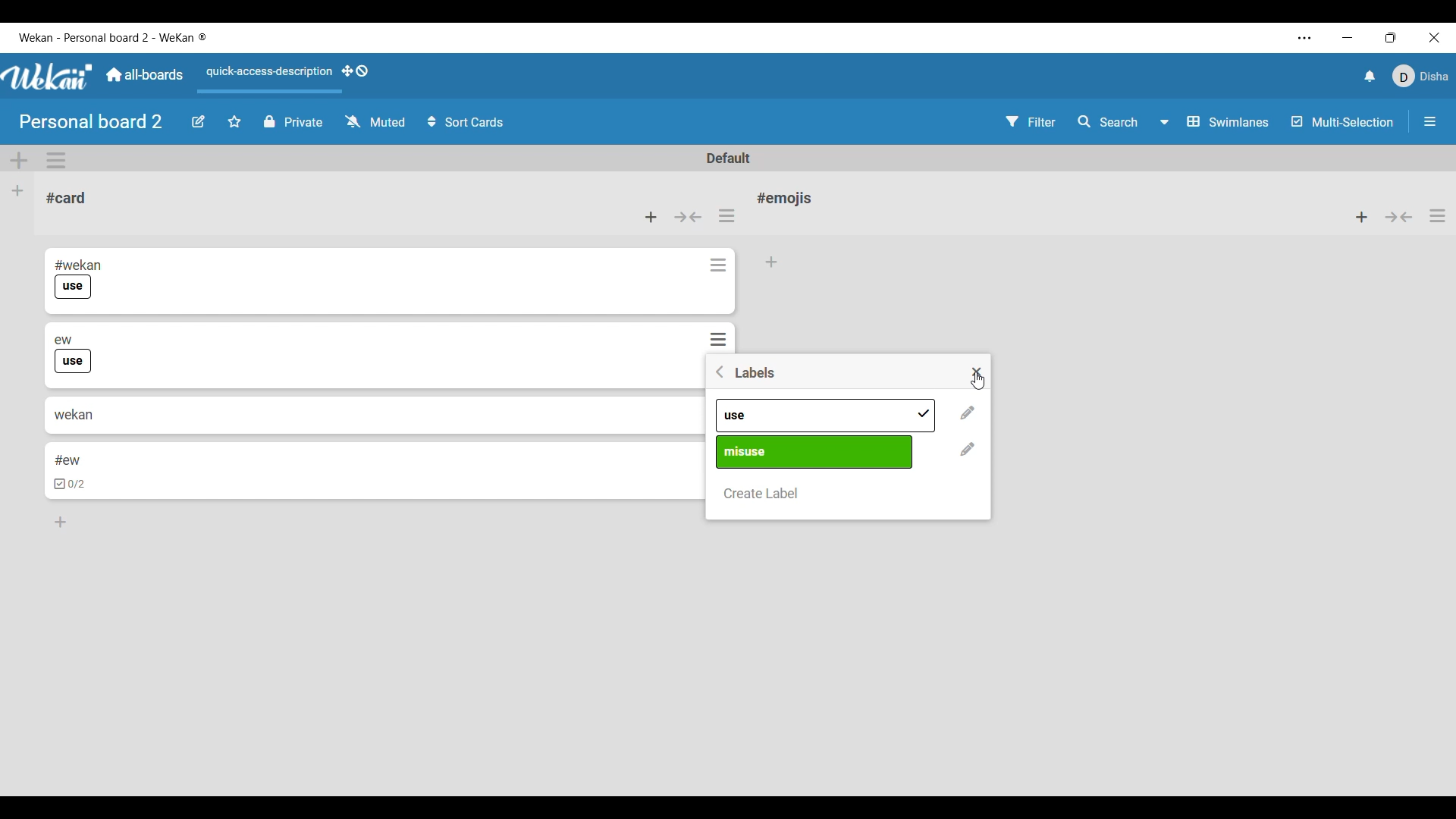 The height and width of the screenshot is (819, 1456). What do you see at coordinates (198, 122) in the screenshot?
I see `Edit` at bounding box center [198, 122].